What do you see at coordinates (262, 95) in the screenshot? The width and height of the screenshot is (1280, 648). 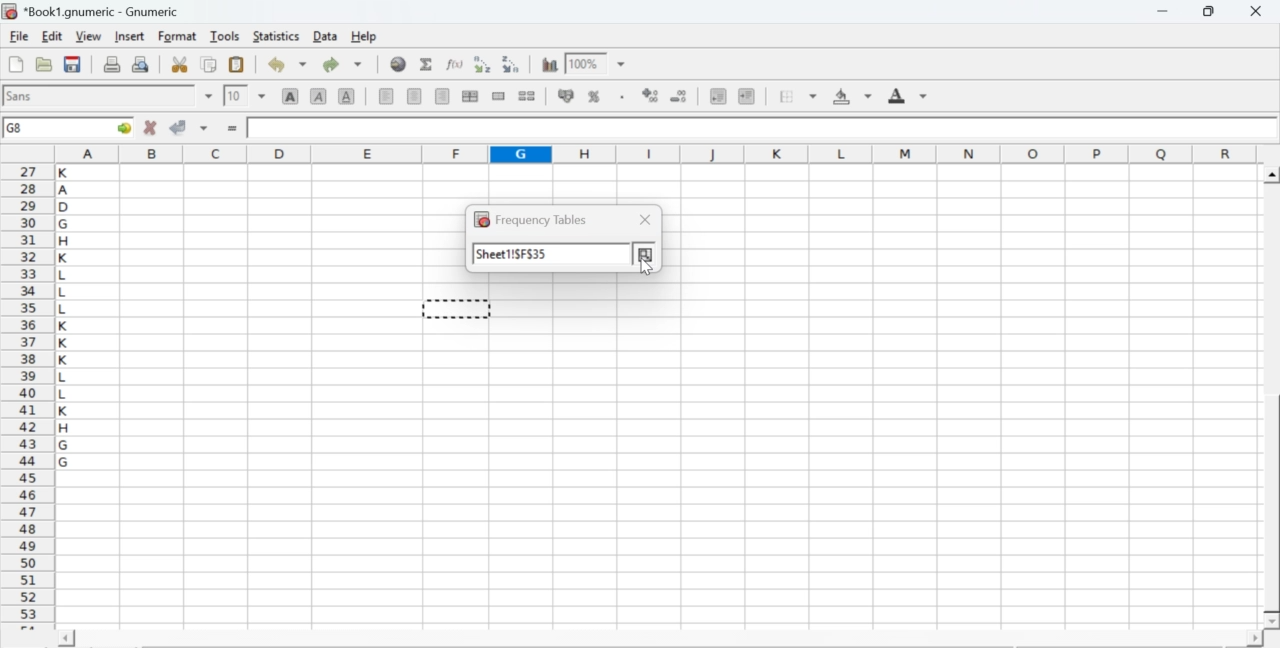 I see `drop down` at bounding box center [262, 95].